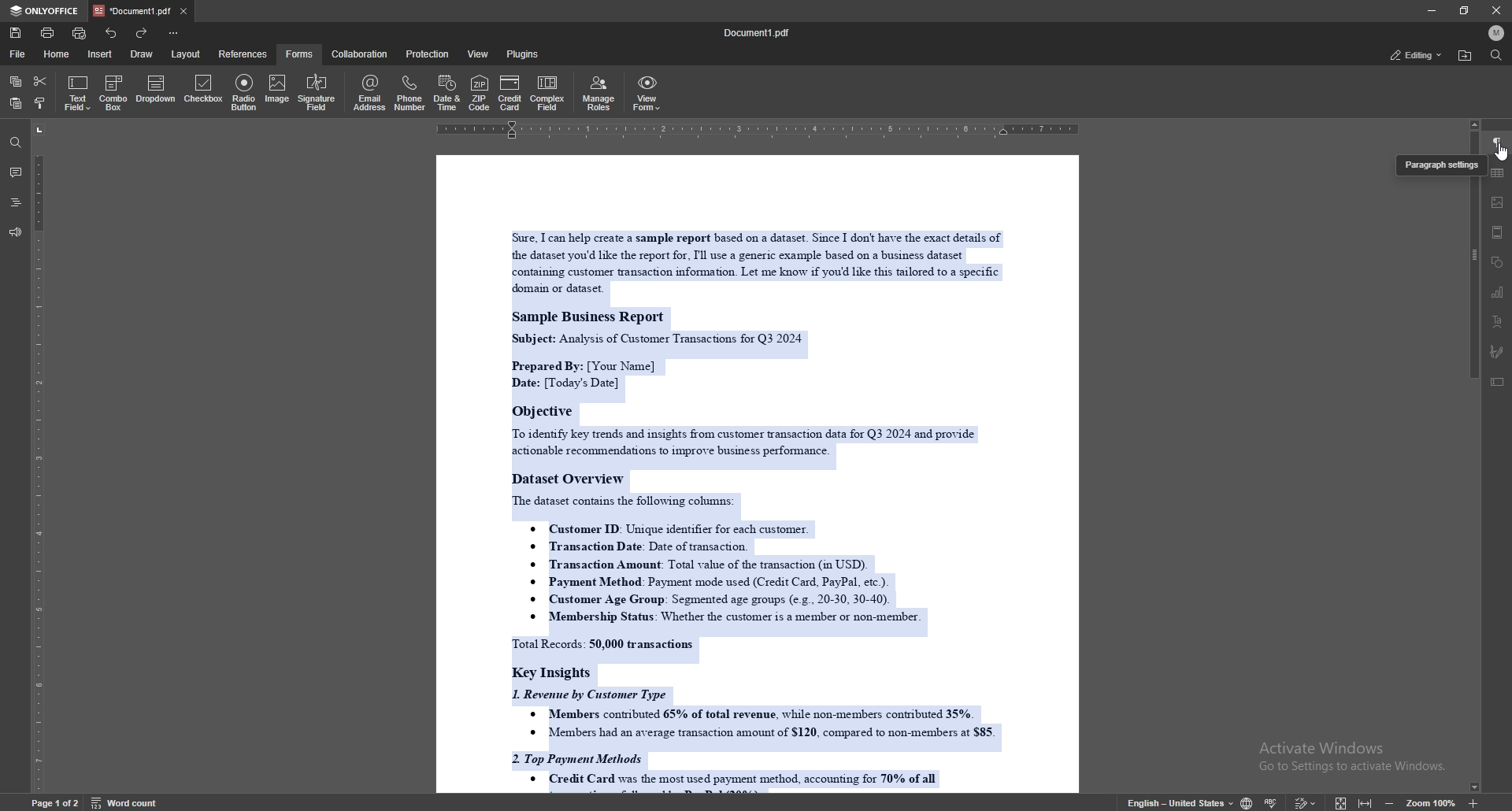  Describe the element at coordinates (156, 91) in the screenshot. I see `dropdown` at that location.